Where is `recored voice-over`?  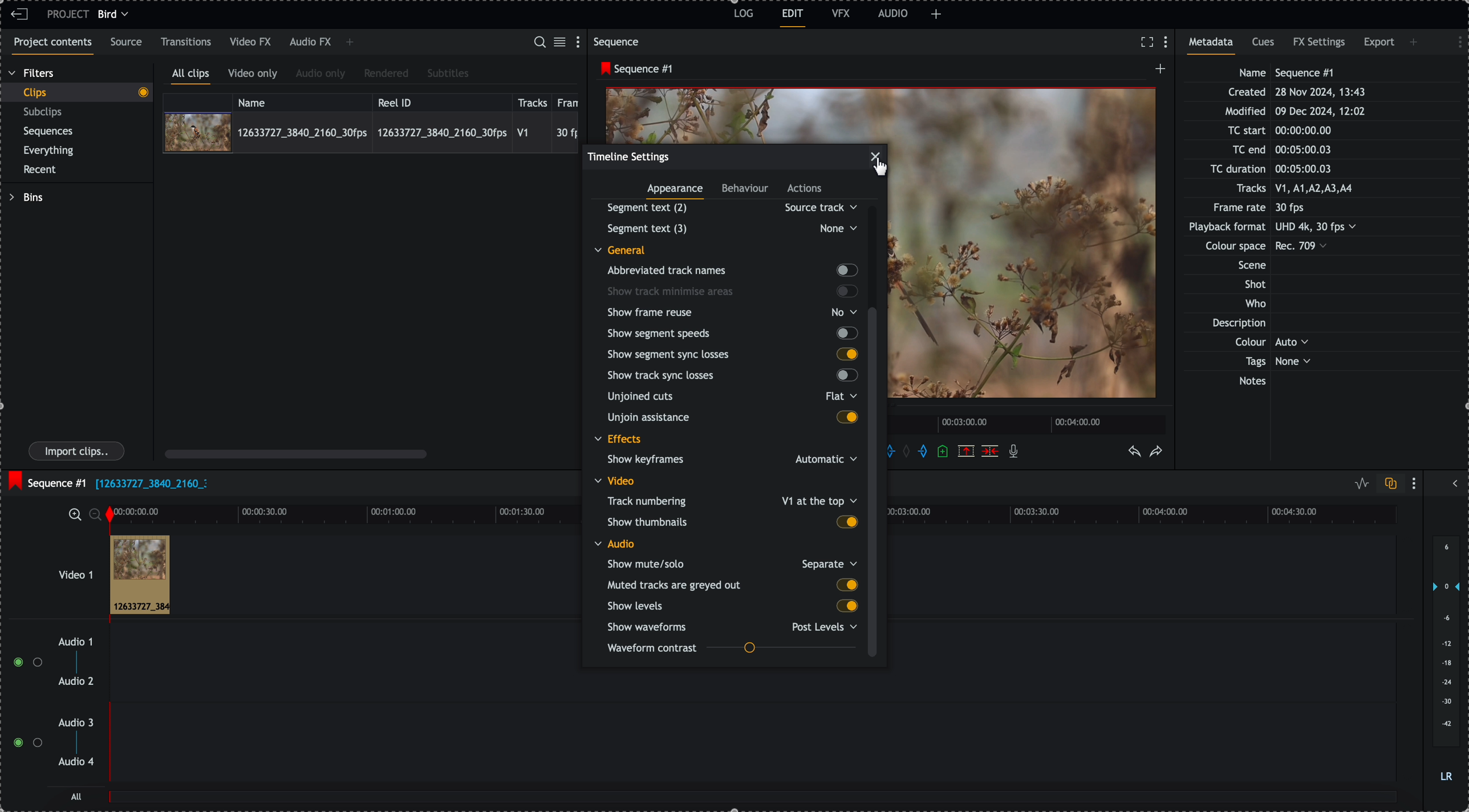 recored voice-over is located at coordinates (1016, 452).